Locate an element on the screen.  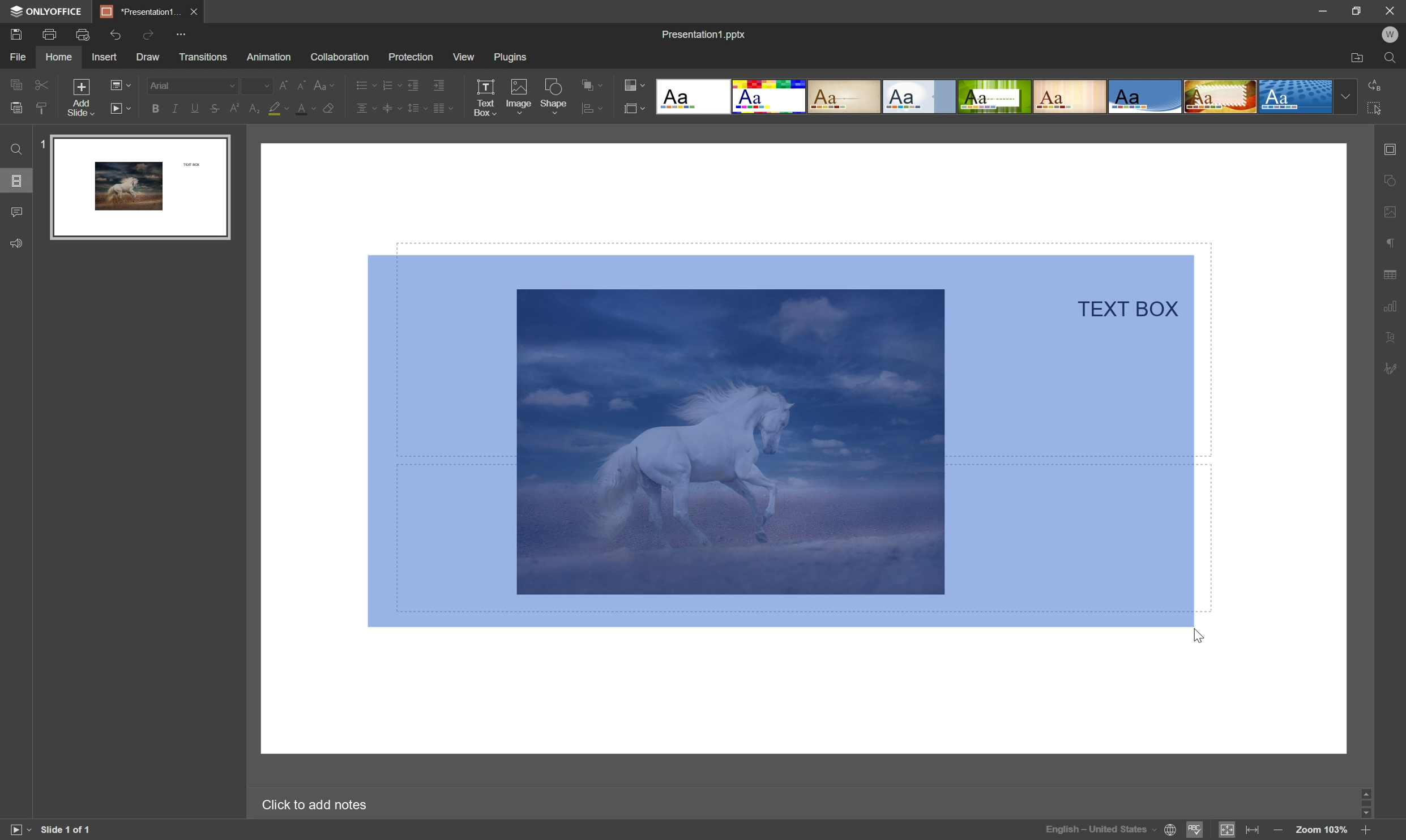
Lines is located at coordinates (1070, 96).